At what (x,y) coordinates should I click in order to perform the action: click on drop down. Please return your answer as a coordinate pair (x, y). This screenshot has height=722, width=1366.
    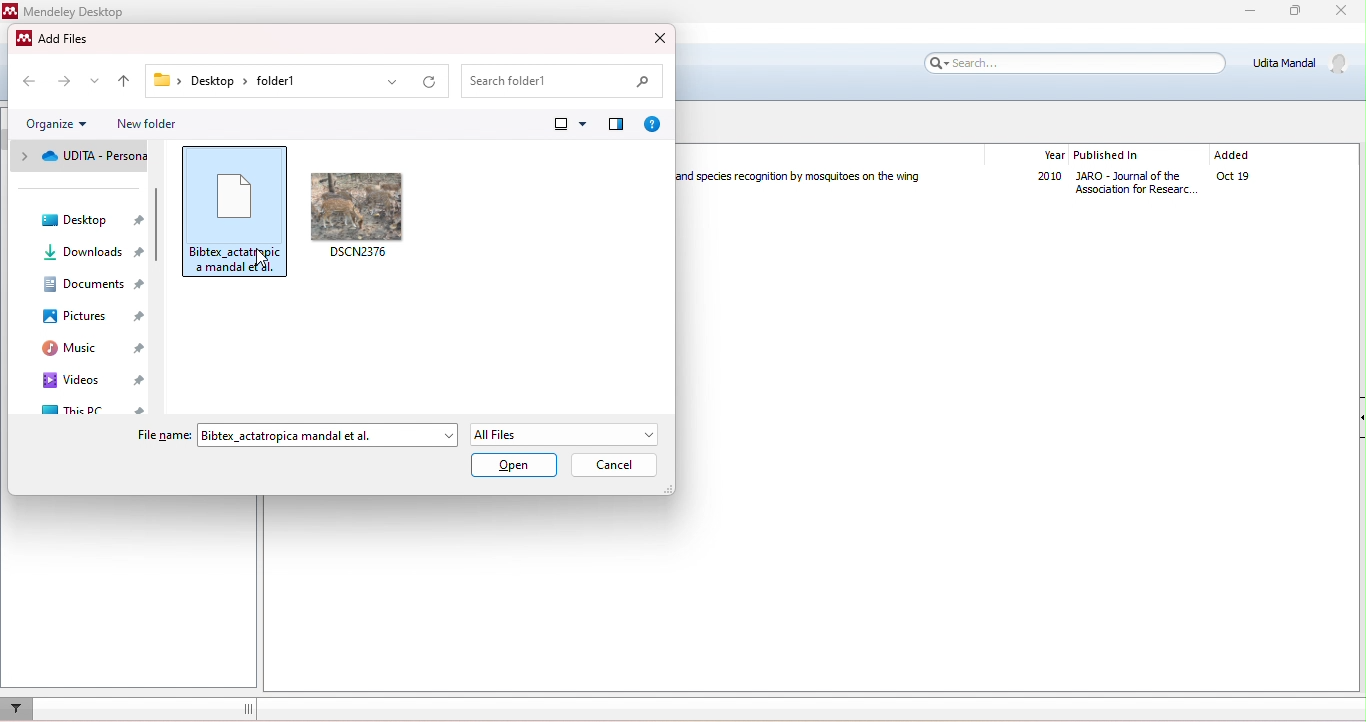
    Looking at the image, I should click on (392, 82).